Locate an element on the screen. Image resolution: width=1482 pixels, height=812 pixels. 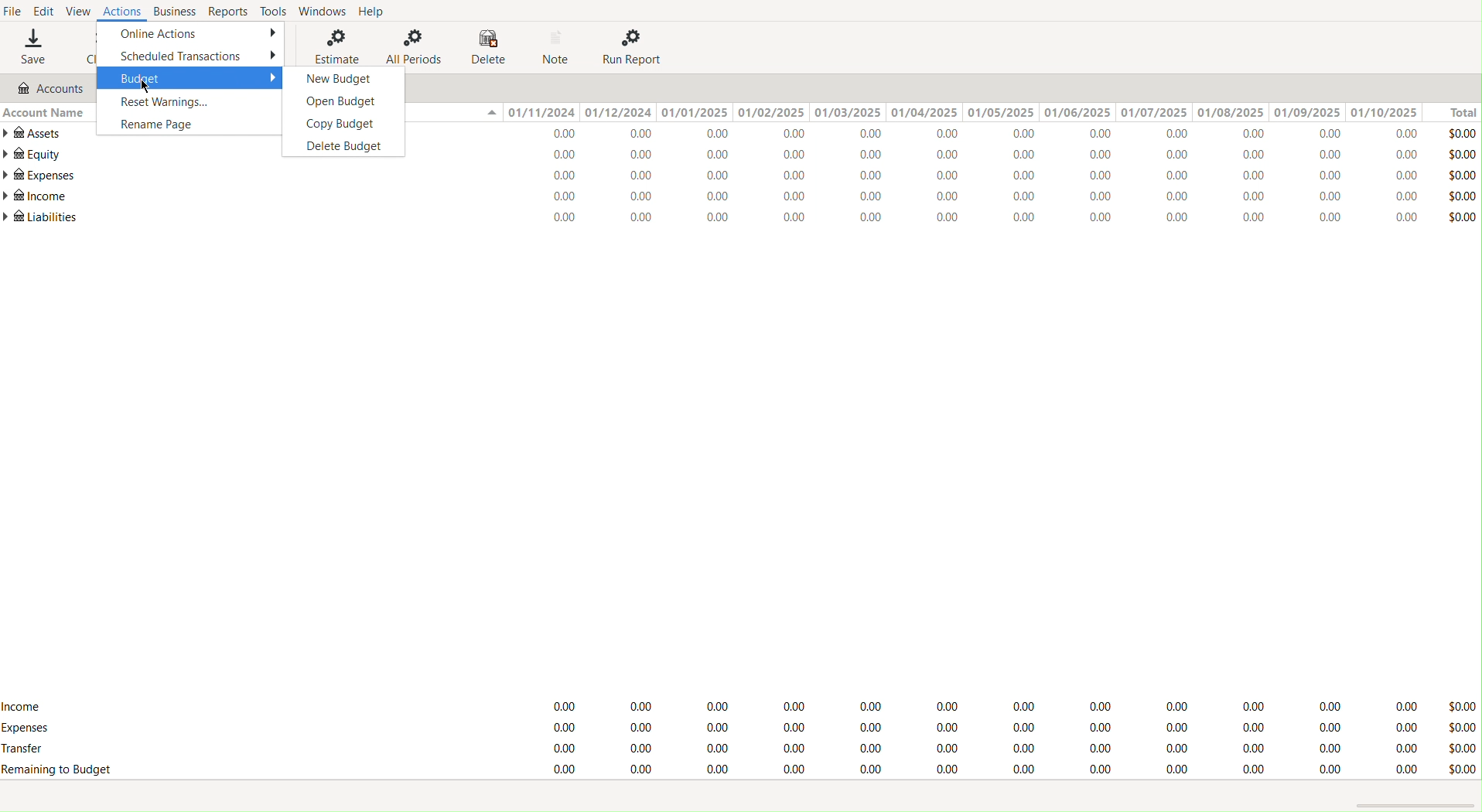
Windows is located at coordinates (323, 12).